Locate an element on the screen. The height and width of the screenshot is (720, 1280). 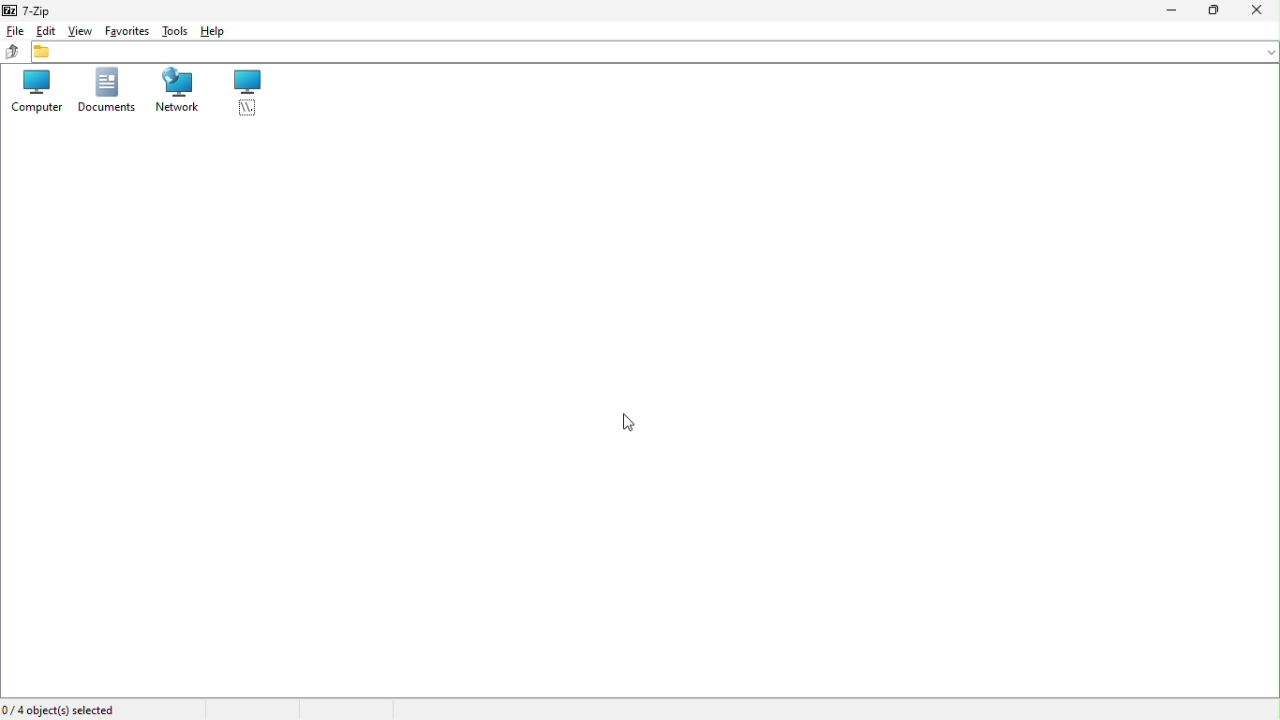
Minimize is located at coordinates (1168, 11).